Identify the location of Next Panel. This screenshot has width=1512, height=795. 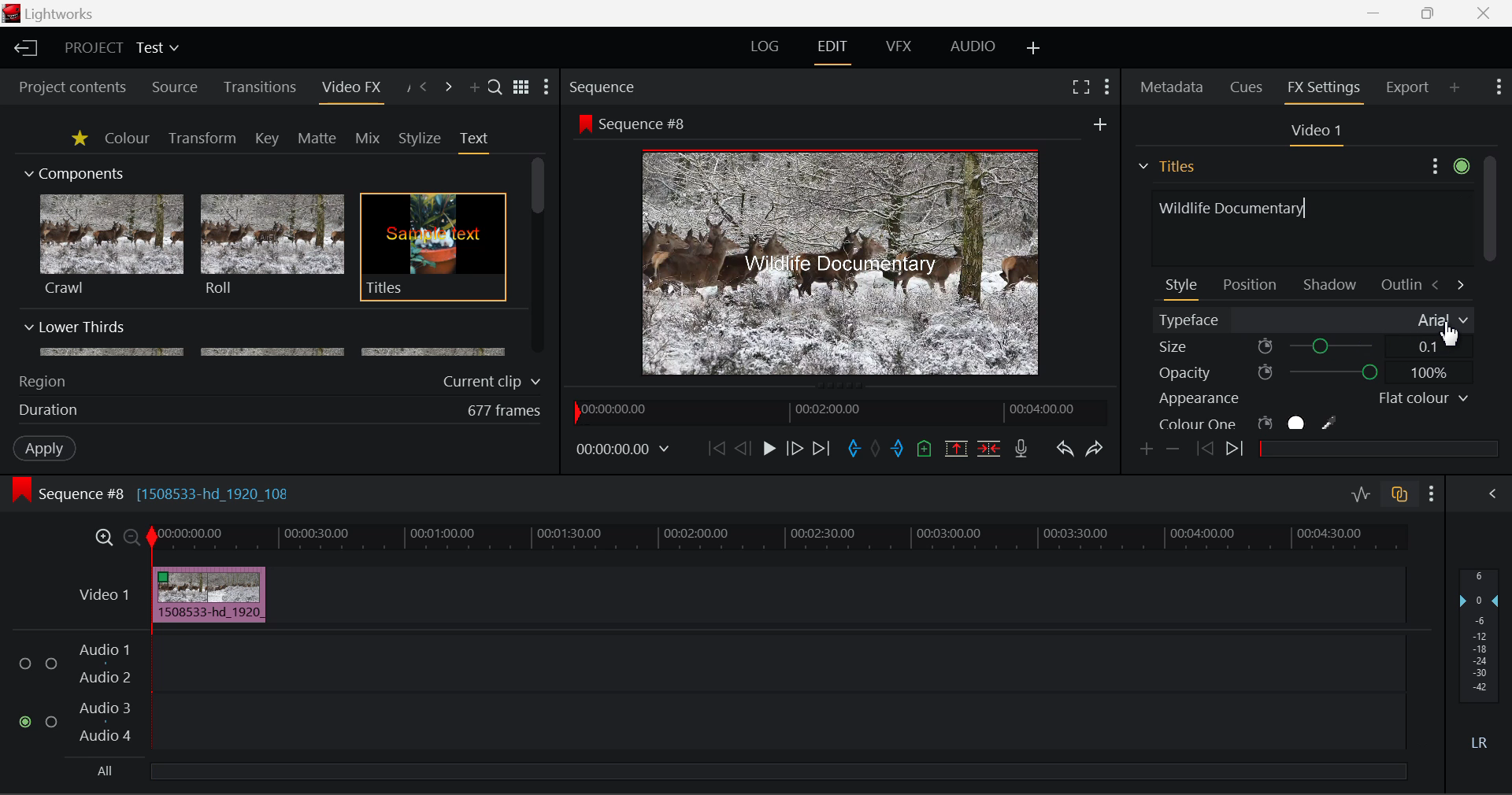
(450, 88).